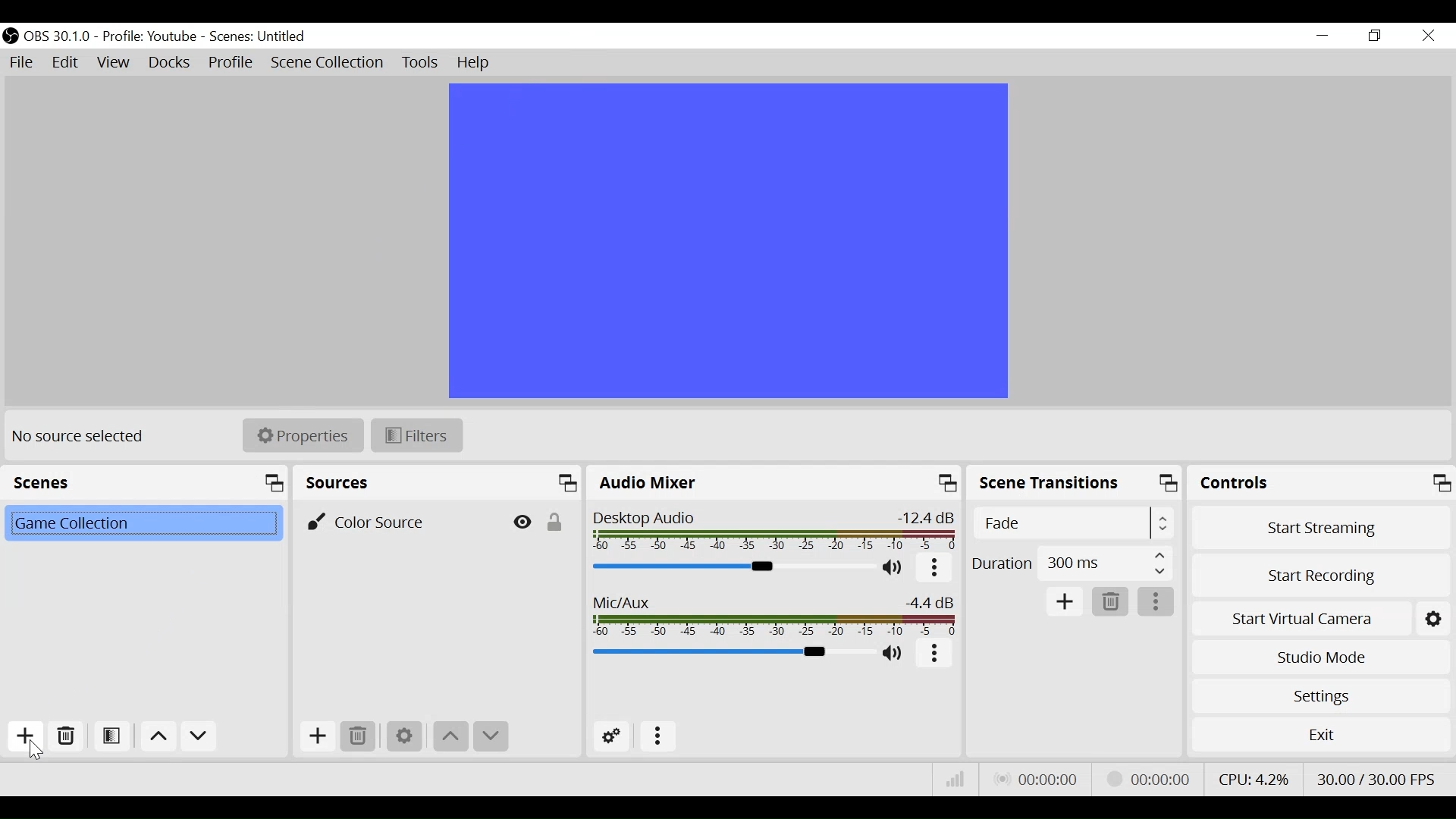 This screenshot has width=1456, height=819. I want to click on Move down, so click(489, 737).